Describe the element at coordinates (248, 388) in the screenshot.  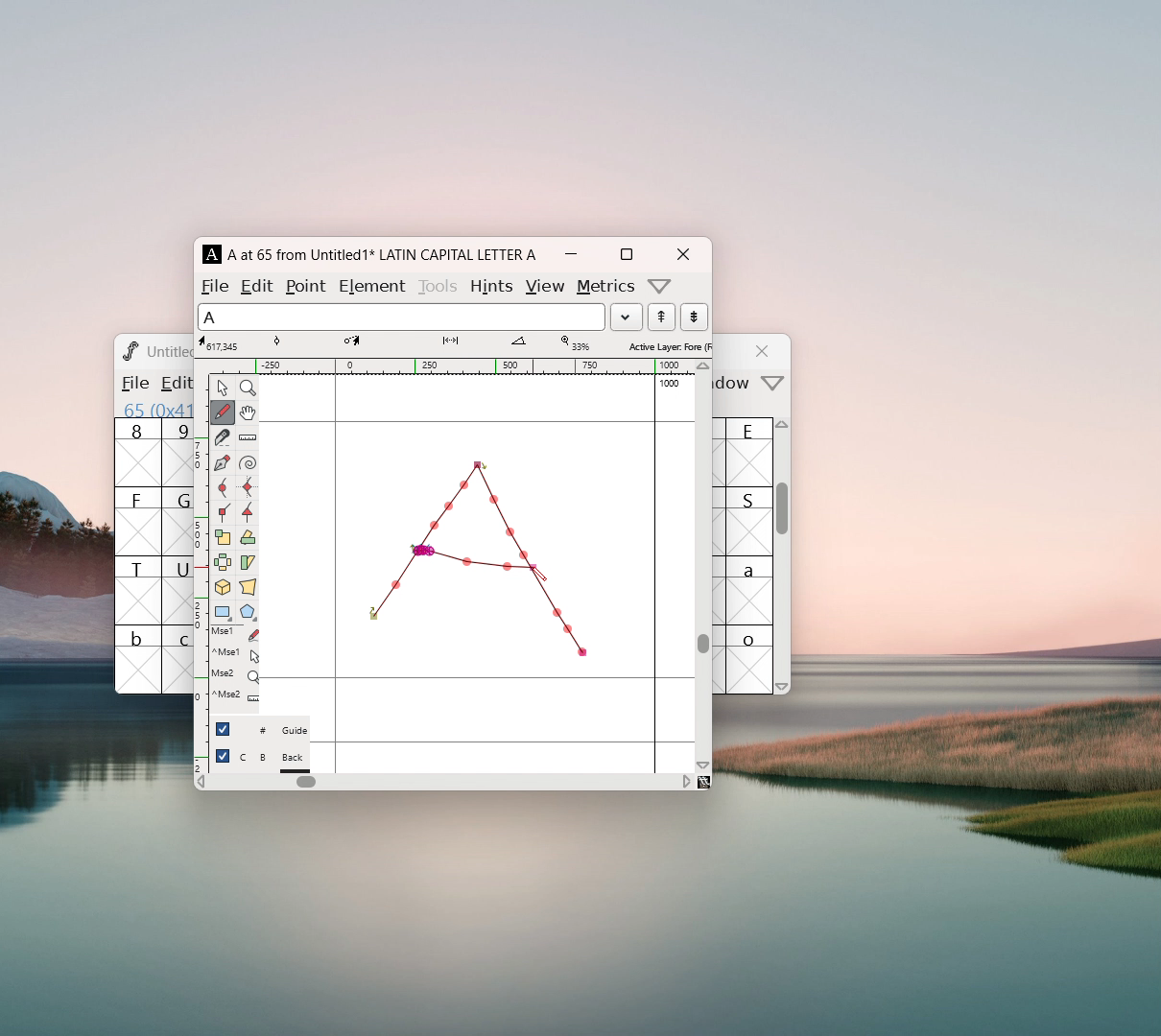
I see `maginify` at that location.